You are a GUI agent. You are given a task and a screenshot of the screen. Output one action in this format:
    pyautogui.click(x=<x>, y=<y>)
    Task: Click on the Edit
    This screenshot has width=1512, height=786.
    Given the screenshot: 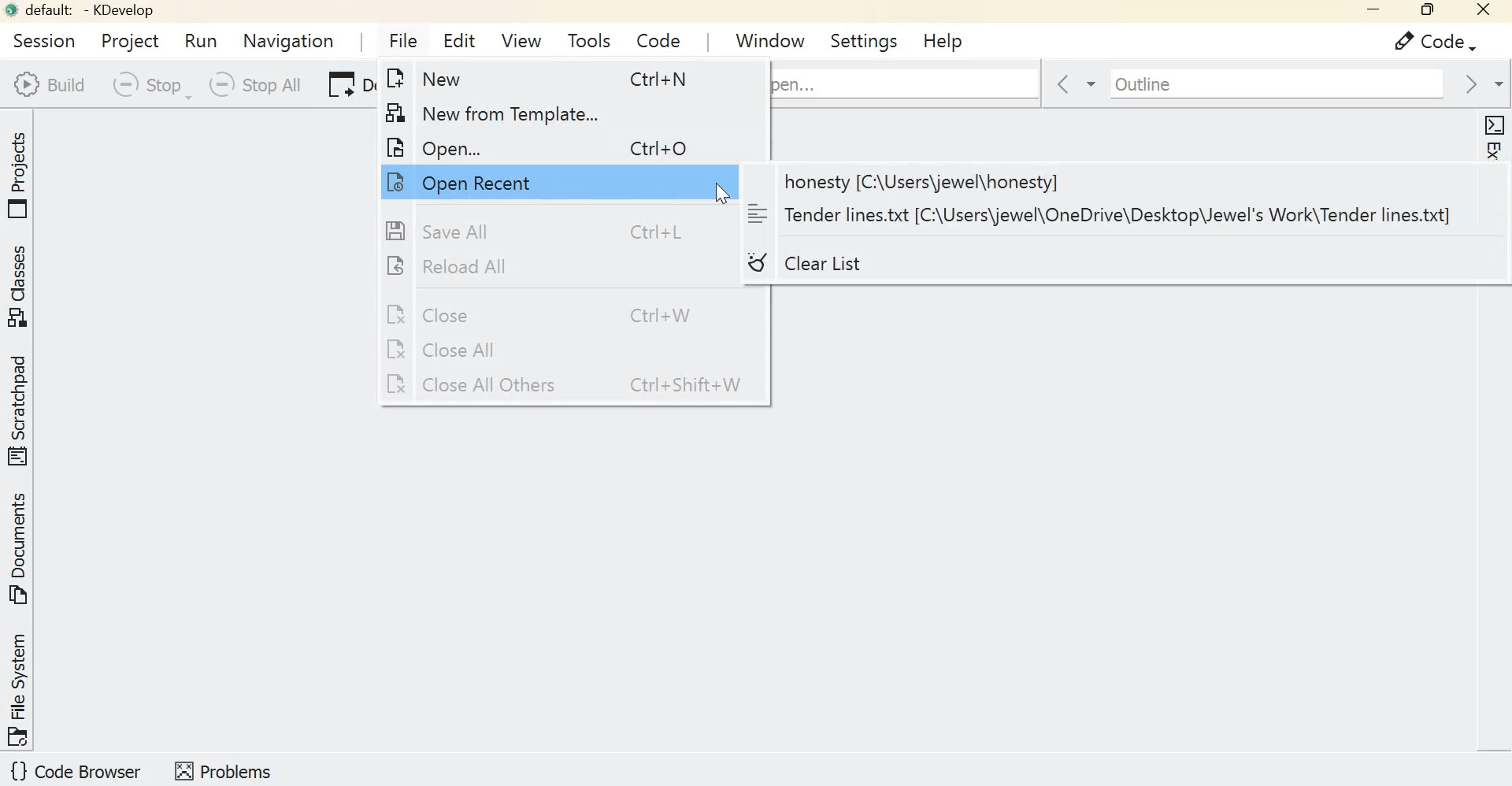 What is the action you would take?
    pyautogui.click(x=462, y=43)
    